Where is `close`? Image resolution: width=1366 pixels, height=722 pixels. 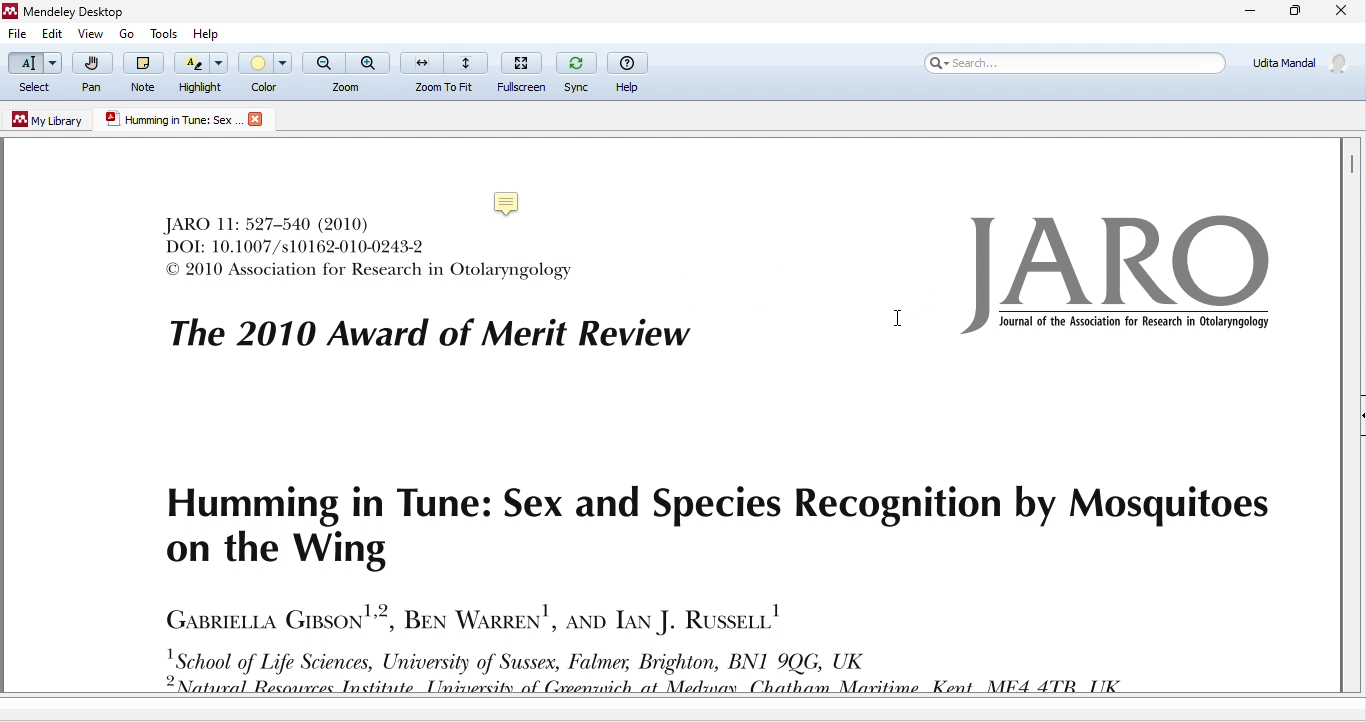 close is located at coordinates (1340, 12).